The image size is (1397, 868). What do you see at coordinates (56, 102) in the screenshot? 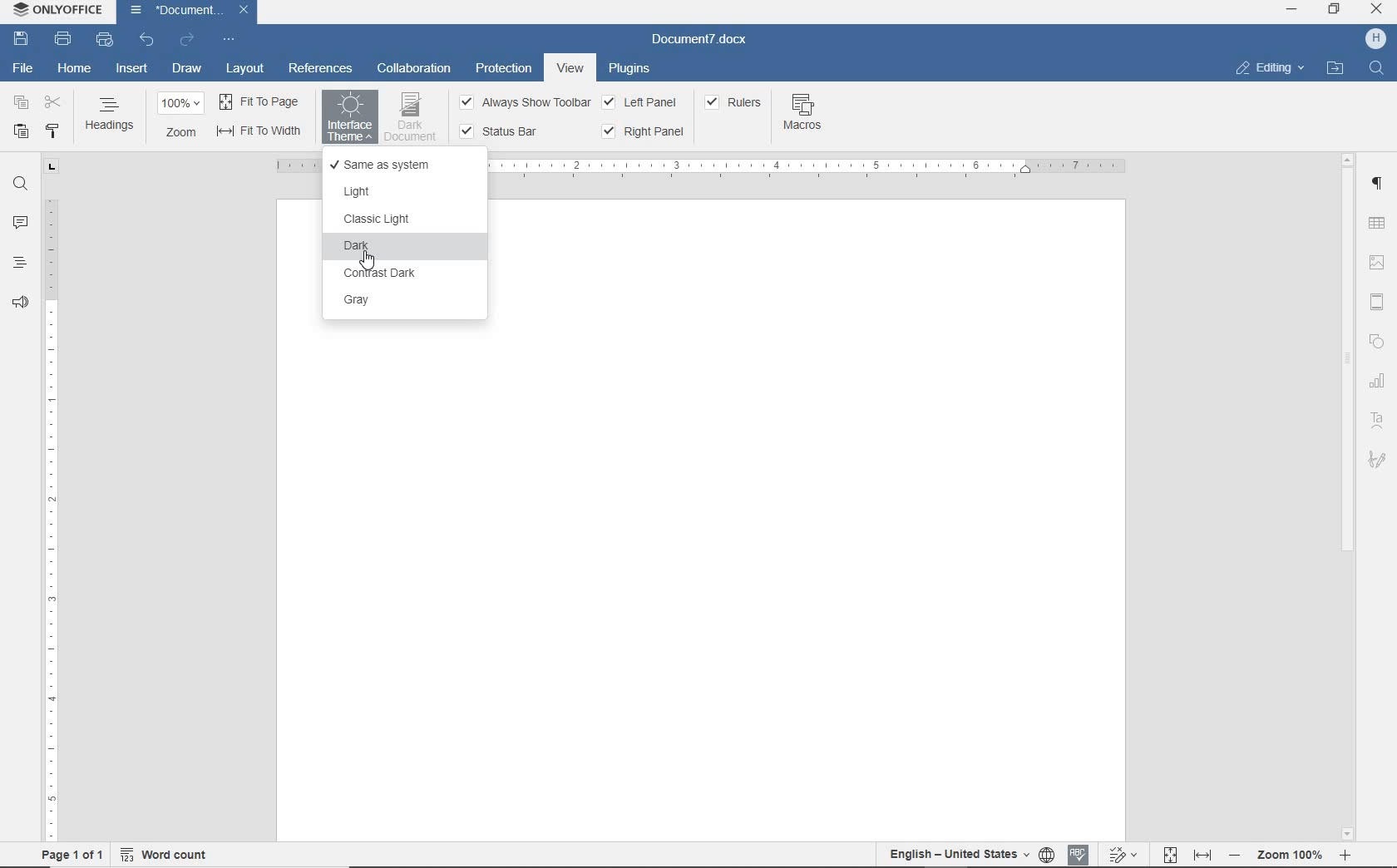
I see `CUT` at bounding box center [56, 102].